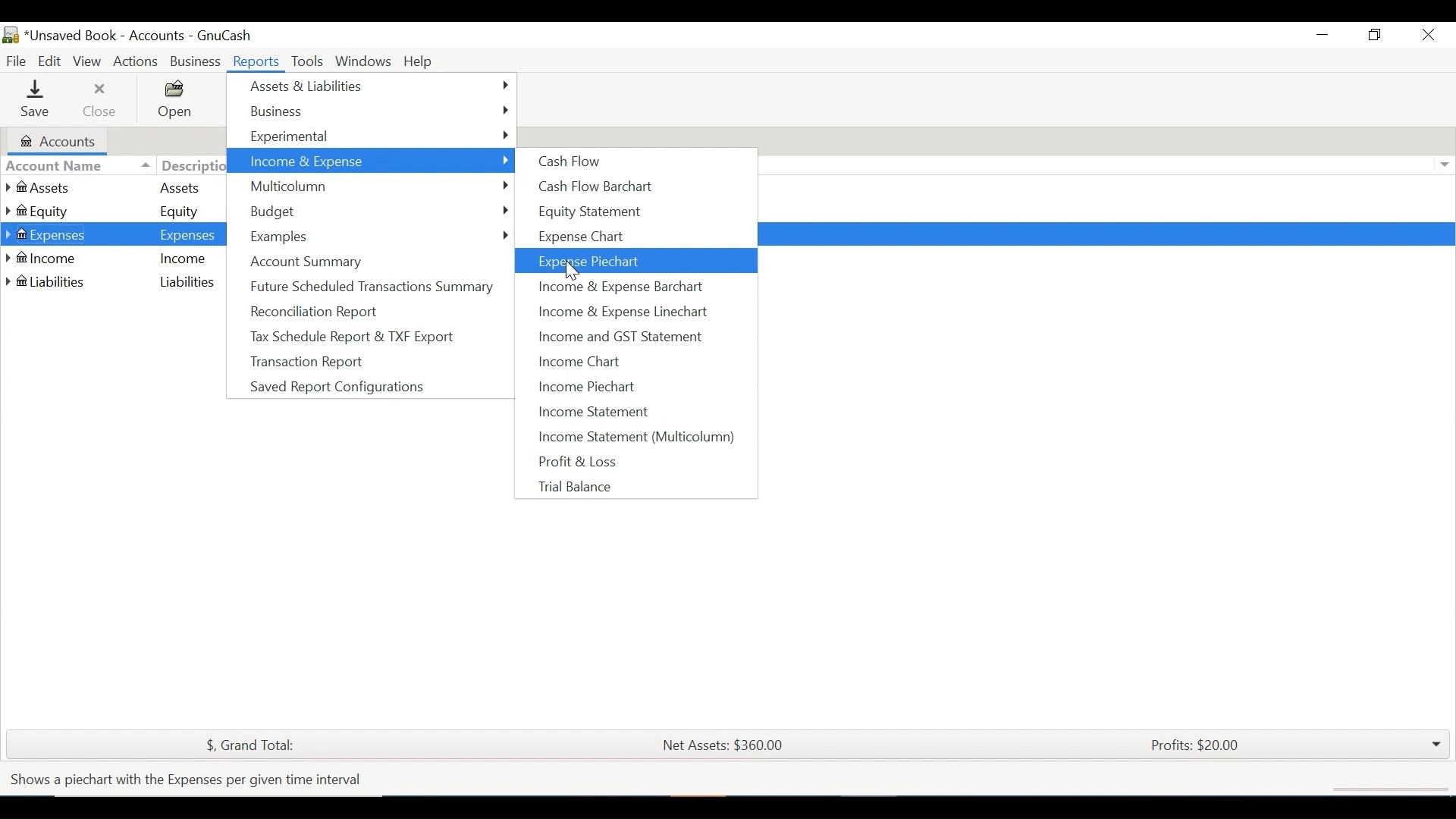  Describe the element at coordinates (421, 61) in the screenshot. I see `Help` at that location.